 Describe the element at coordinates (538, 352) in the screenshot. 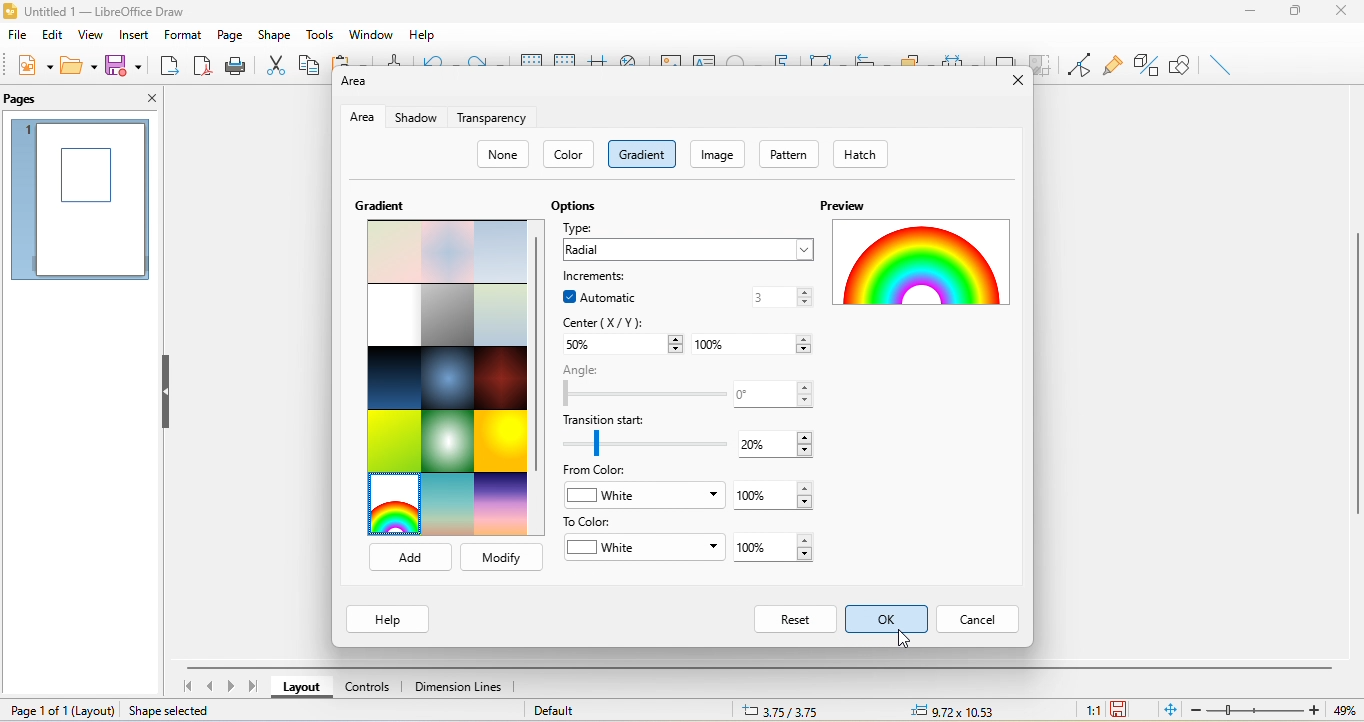

I see `vertical scroll bar` at that location.